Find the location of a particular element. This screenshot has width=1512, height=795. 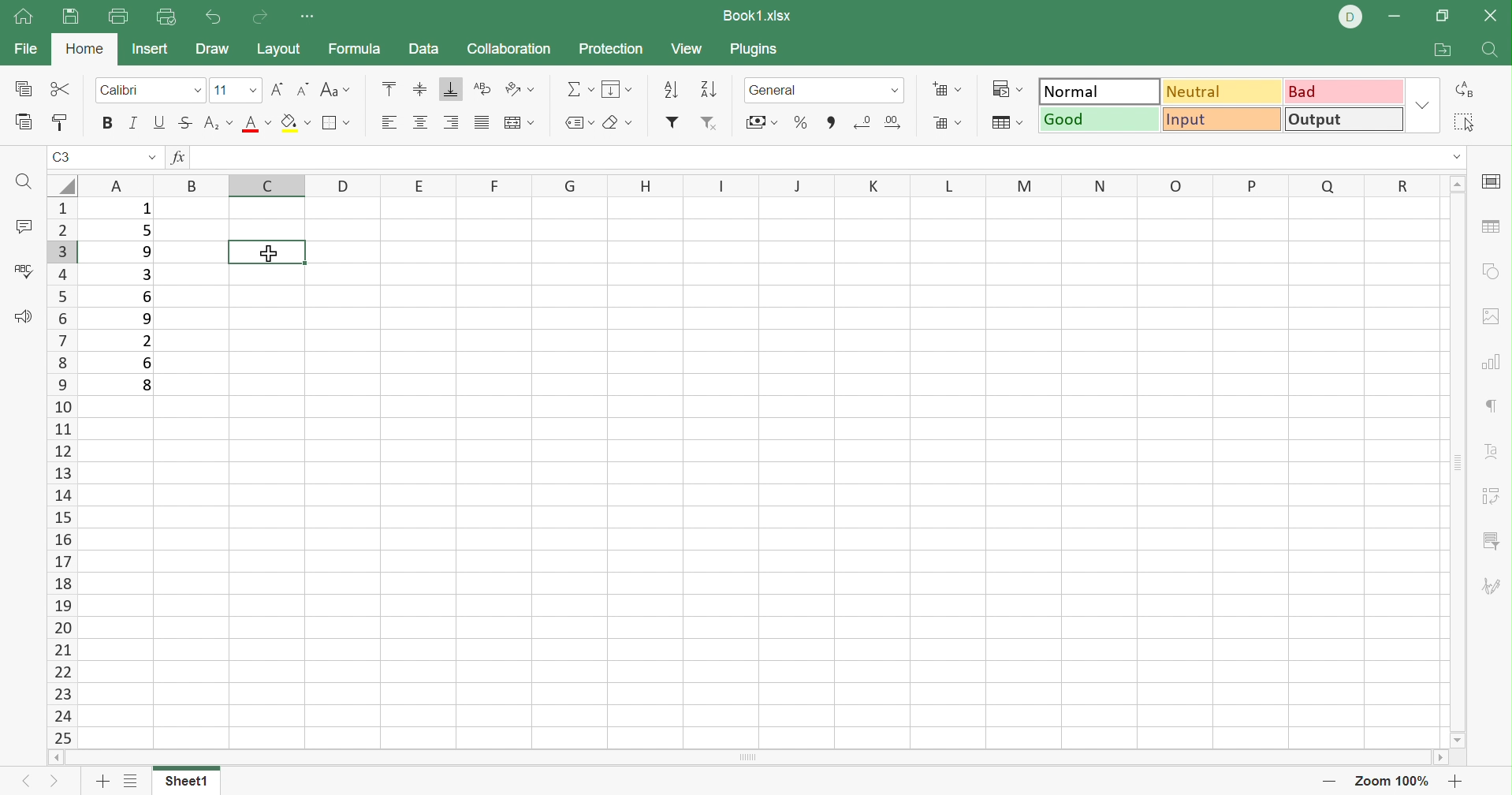

Layout is located at coordinates (279, 47).